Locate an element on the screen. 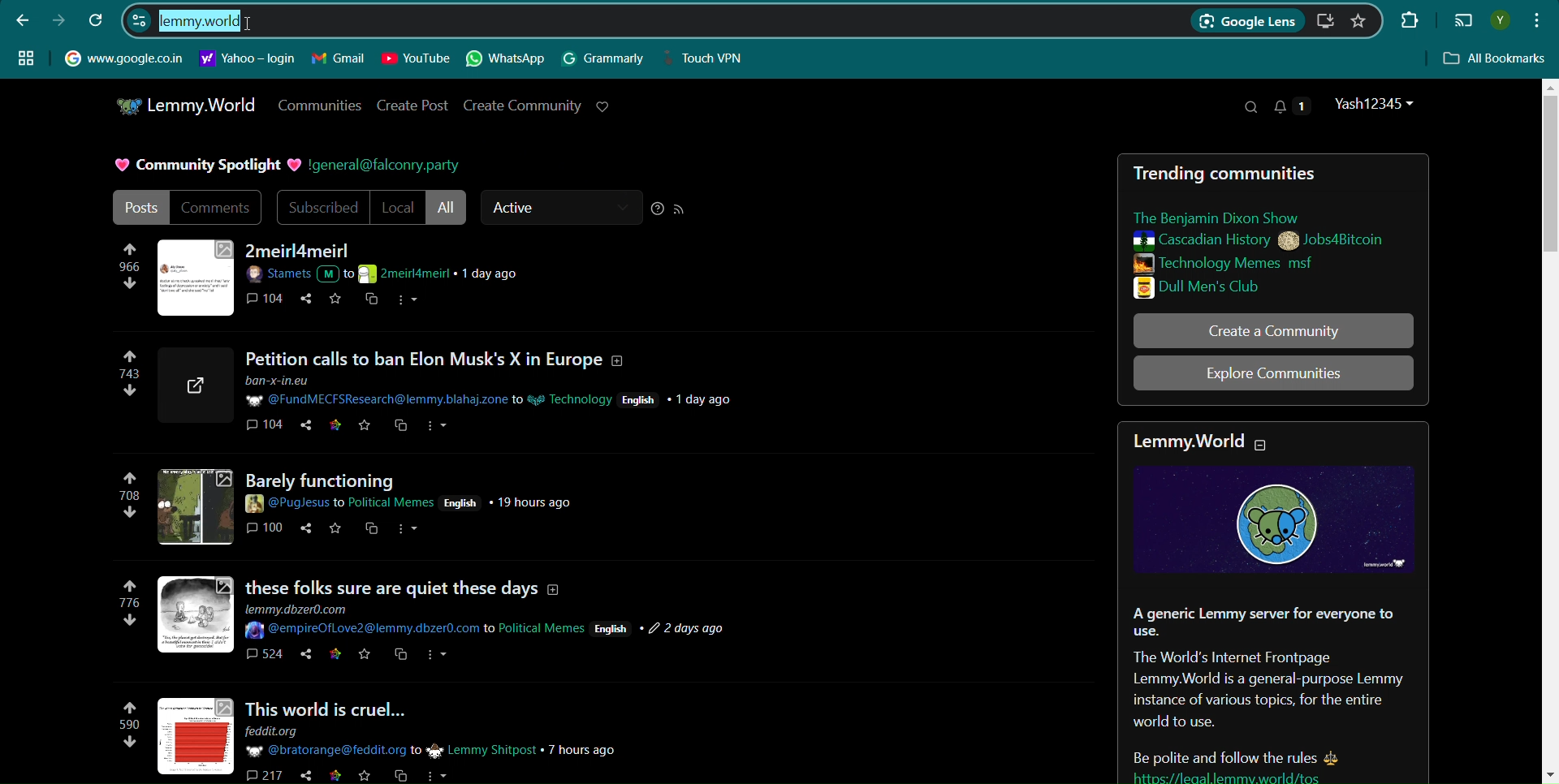 The width and height of the screenshot is (1559, 784). more is located at coordinates (408, 532).